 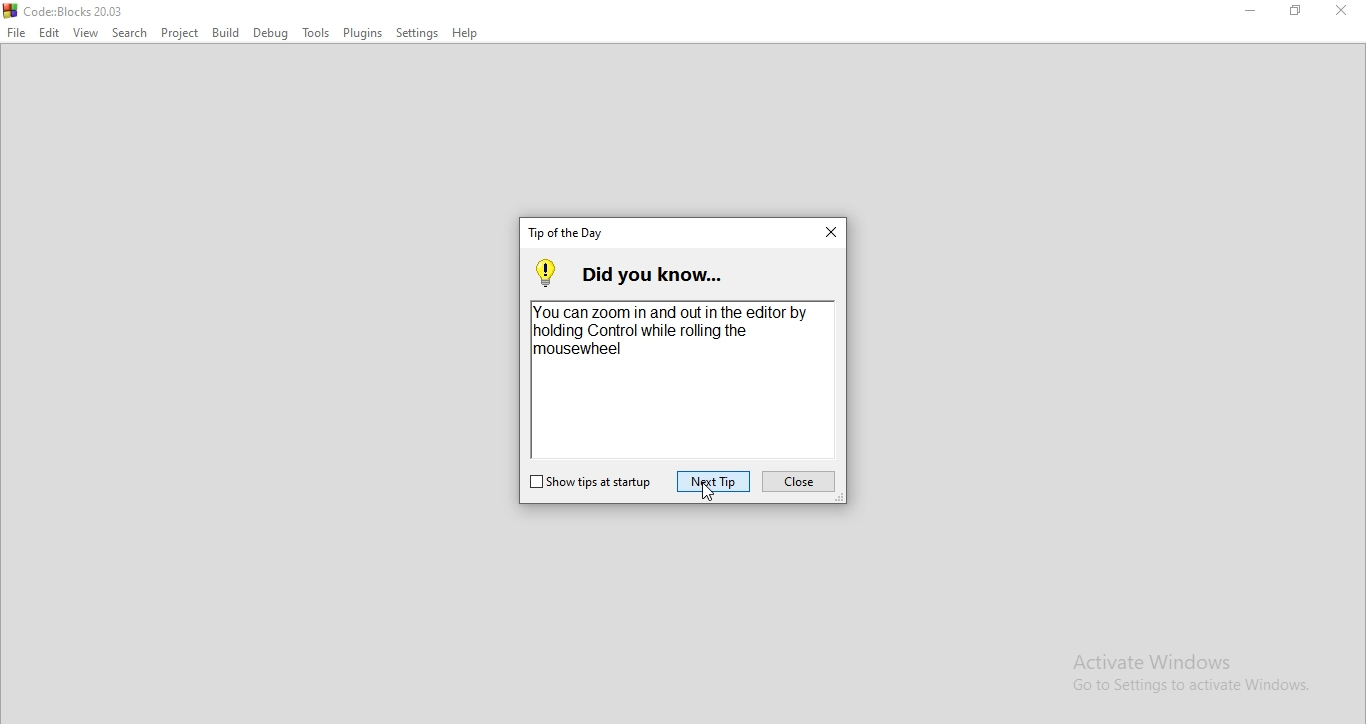 What do you see at coordinates (1187, 671) in the screenshot?
I see `Activate Windows` at bounding box center [1187, 671].